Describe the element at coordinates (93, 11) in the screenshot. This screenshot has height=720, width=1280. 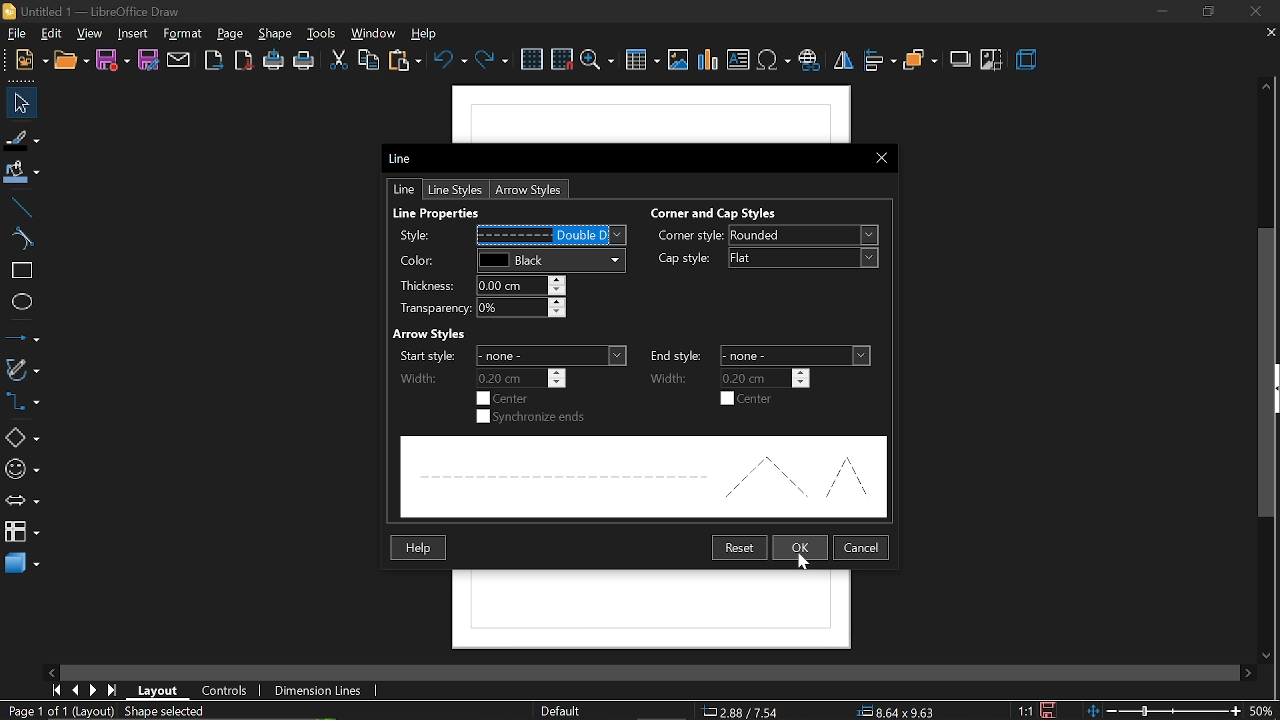
I see `Untitled 1 - LibreOffice Draw` at that location.